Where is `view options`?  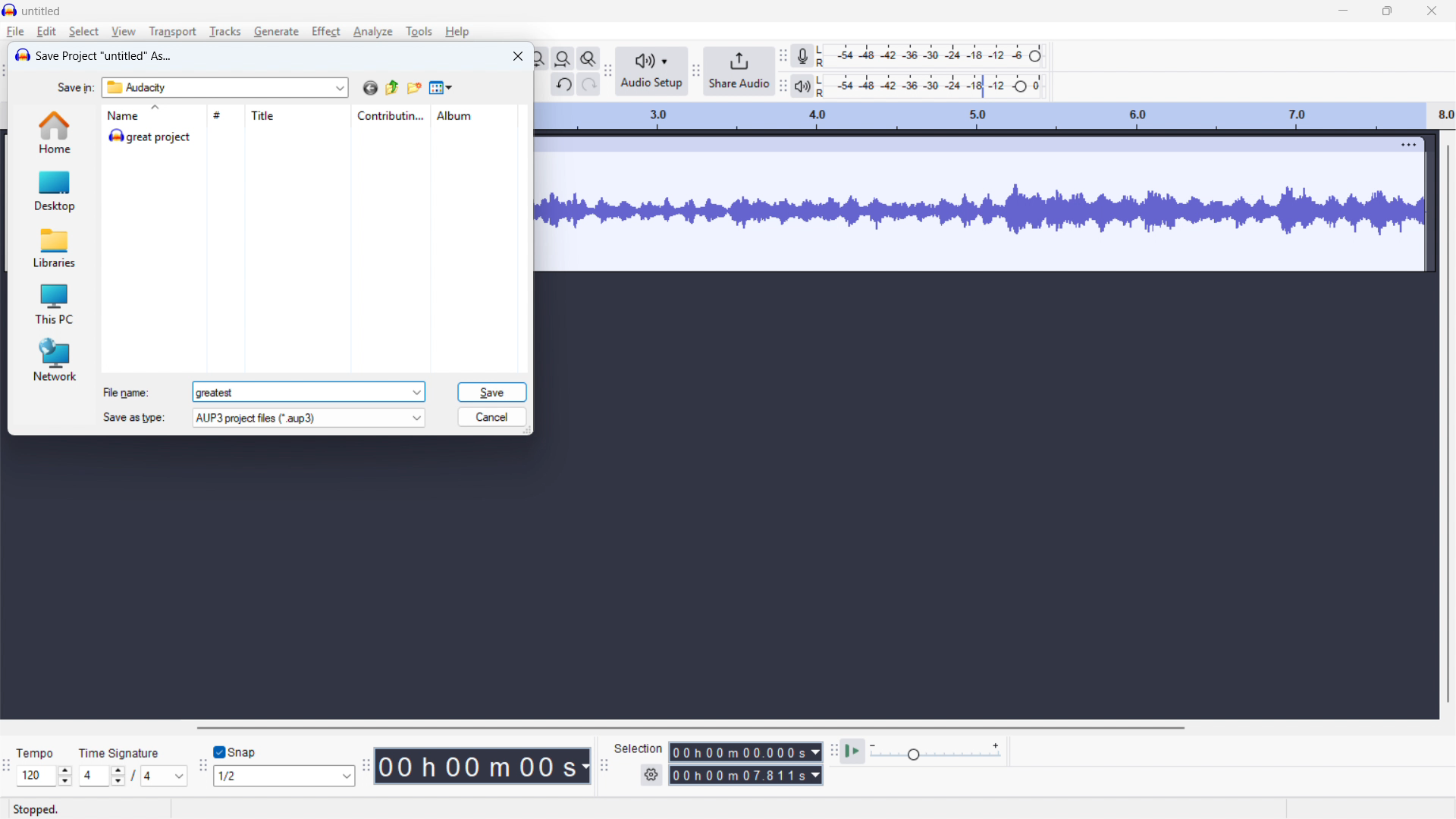
view options is located at coordinates (442, 89).